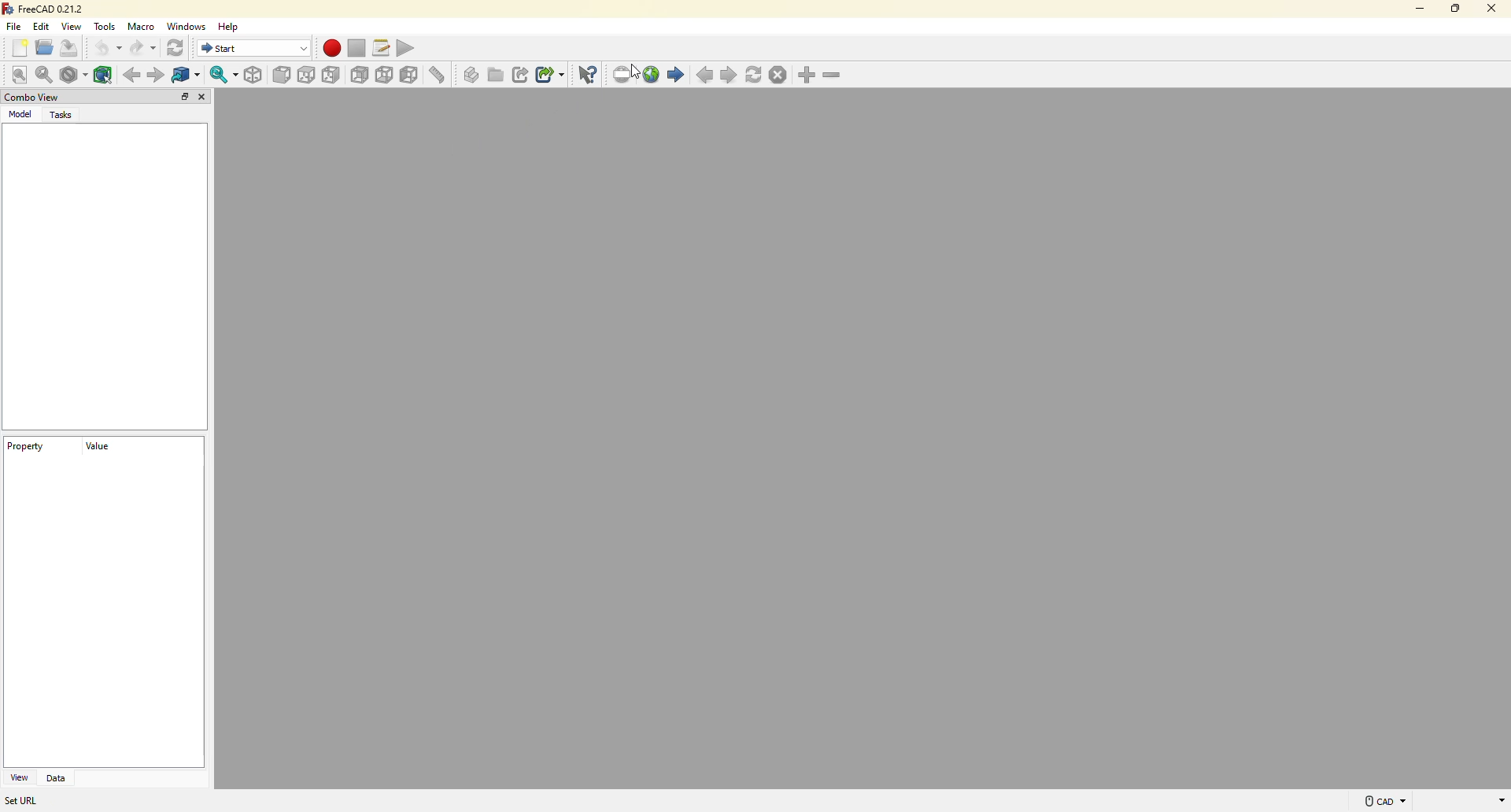 This screenshot has height=812, width=1511. I want to click on rear, so click(360, 74).